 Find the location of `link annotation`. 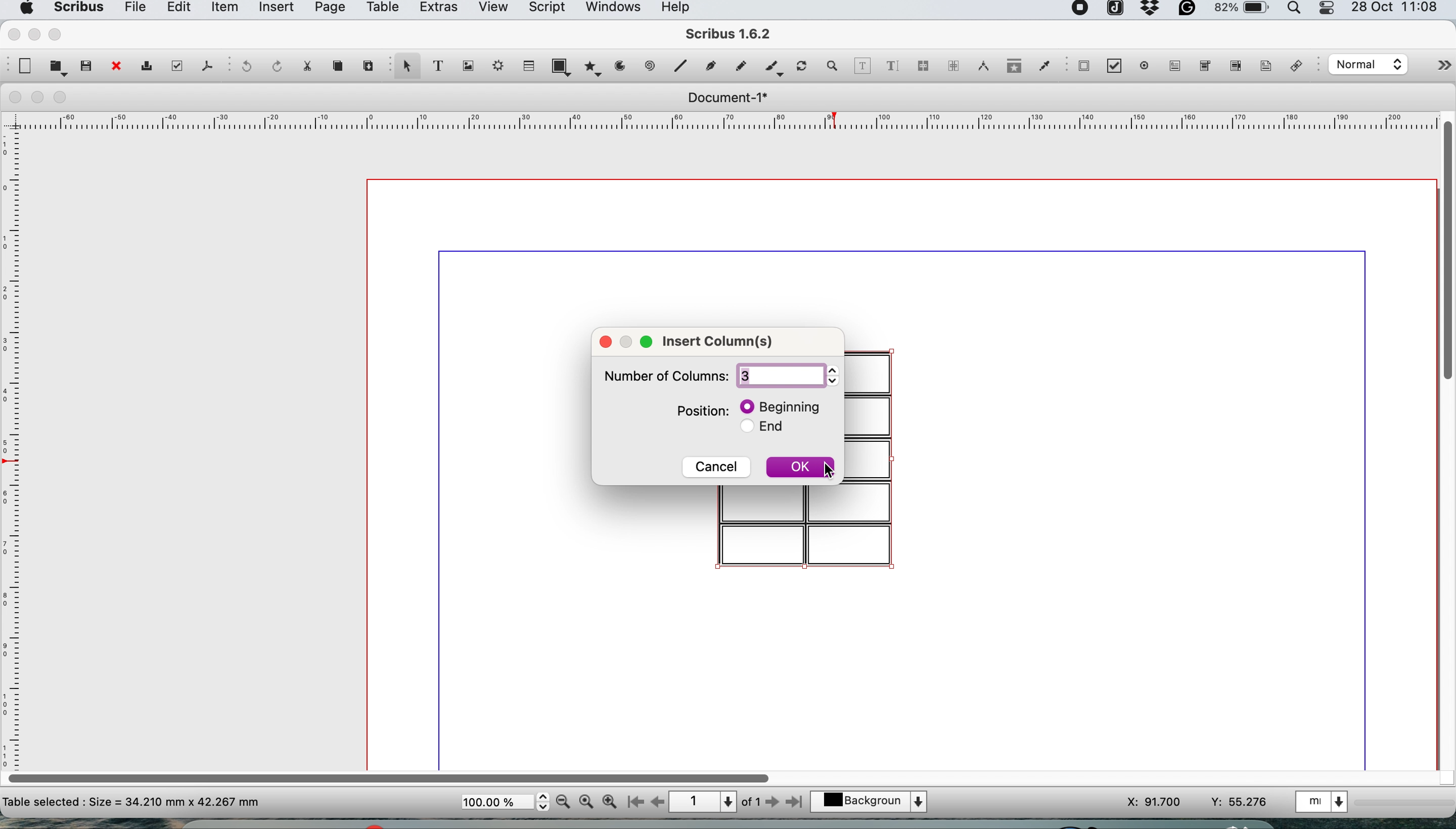

link annotation is located at coordinates (1299, 67).